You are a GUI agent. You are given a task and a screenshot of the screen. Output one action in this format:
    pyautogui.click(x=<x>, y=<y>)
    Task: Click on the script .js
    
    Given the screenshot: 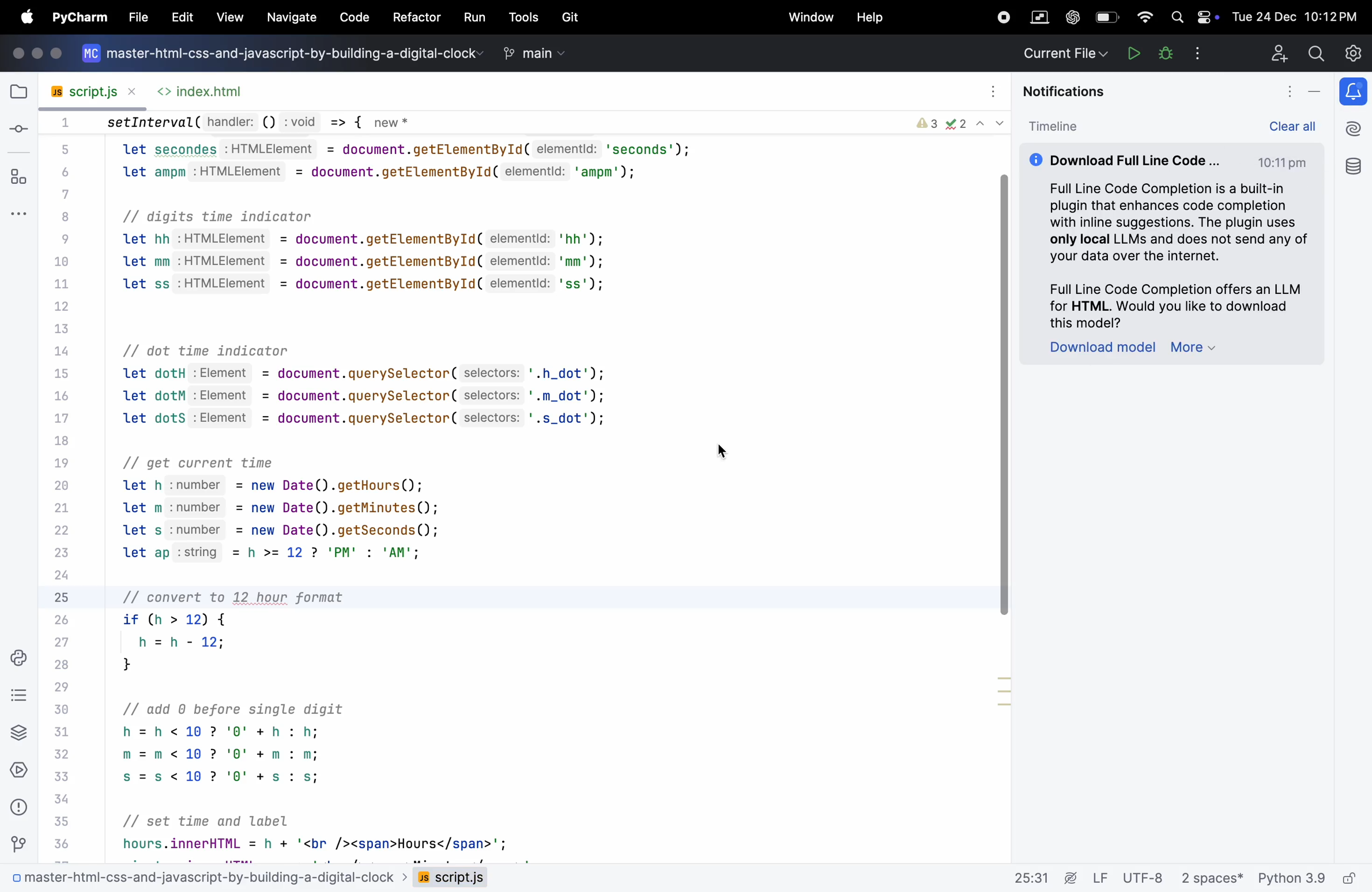 What is the action you would take?
    pyautogui.click(x=89, y=88)
    